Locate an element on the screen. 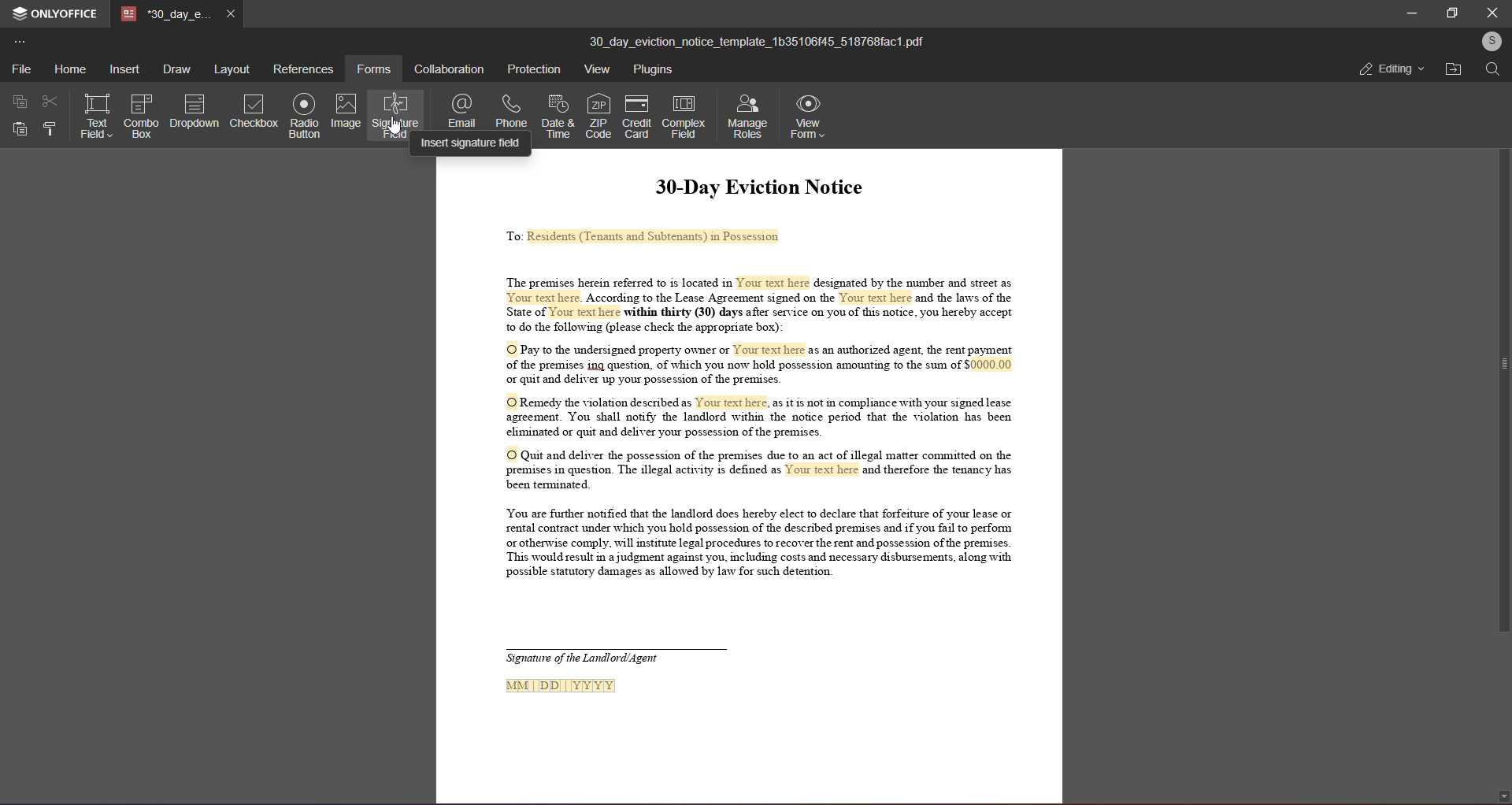 This screenshot has width=1512, height=805. (title)30_day_eviction_notice_template_1b35106145_518768fact.pdf is located at coordinates (758, 39).